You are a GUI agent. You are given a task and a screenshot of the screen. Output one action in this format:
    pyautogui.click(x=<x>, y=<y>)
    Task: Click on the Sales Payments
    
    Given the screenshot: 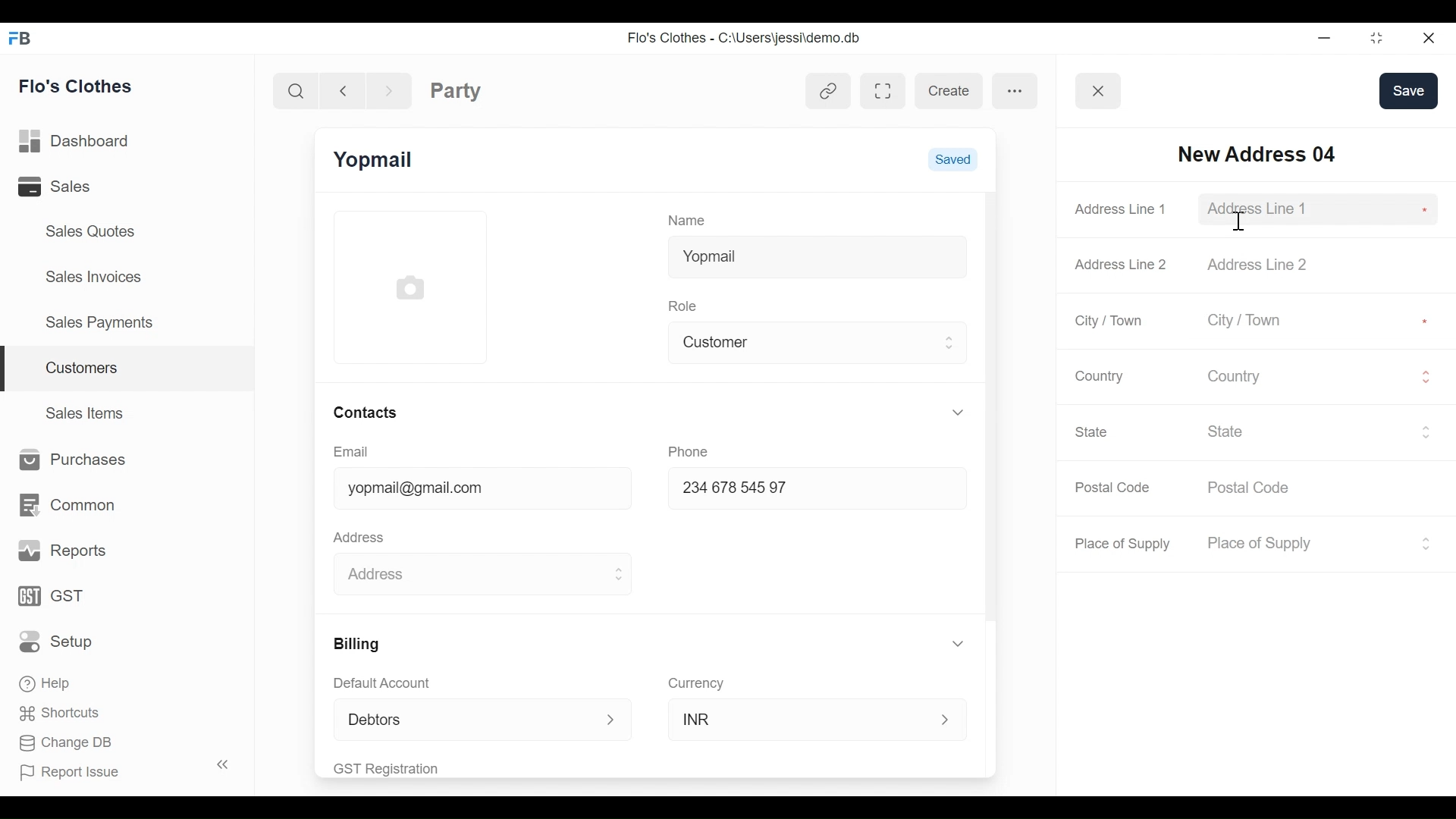 What is the action you would take?
    pyautogui.click(x=98, y=322)
    